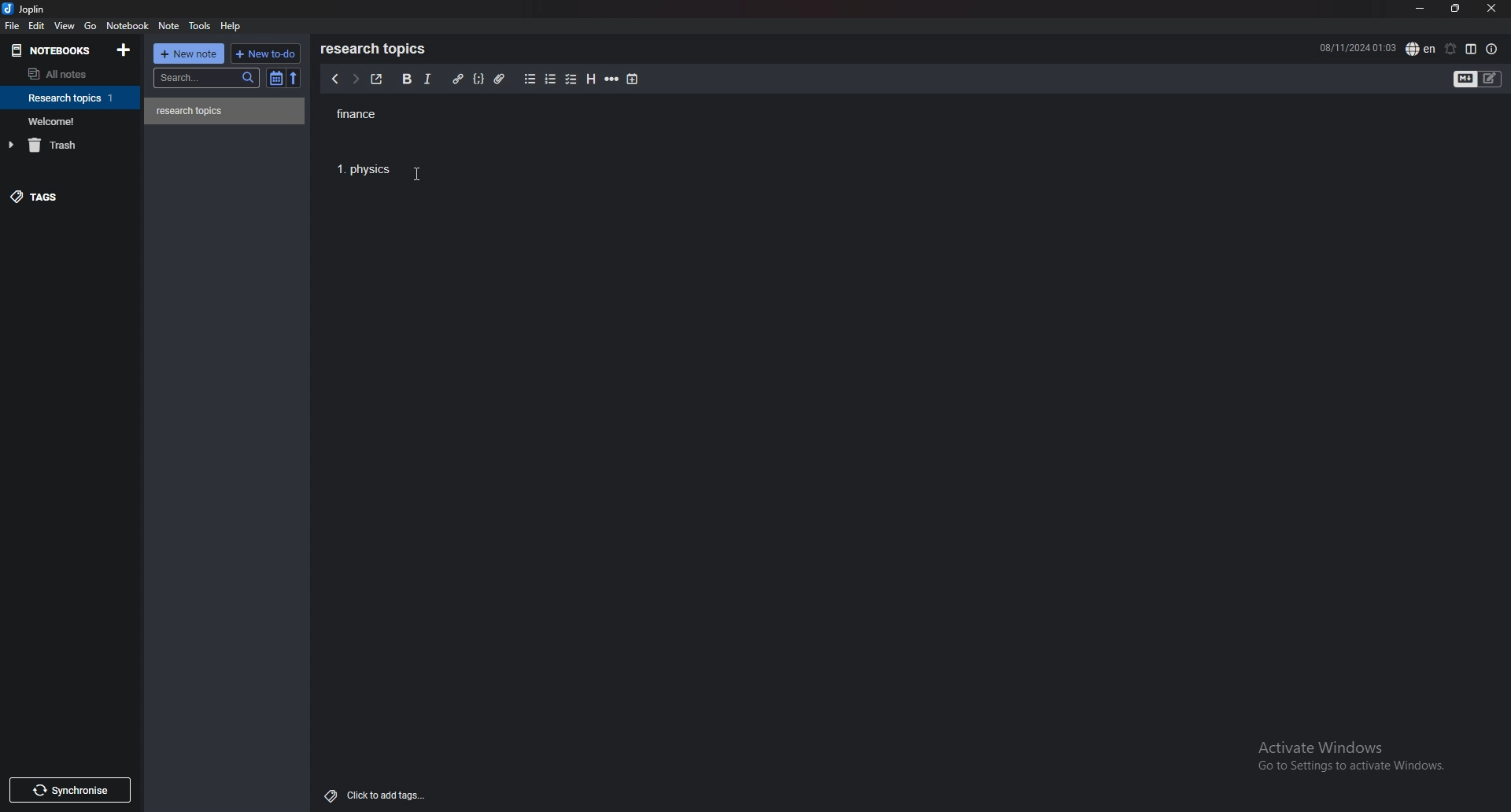  What do you see at coordinates (36, 25) in the screenshot?
I see `edit` at bounding box center [36, 25].